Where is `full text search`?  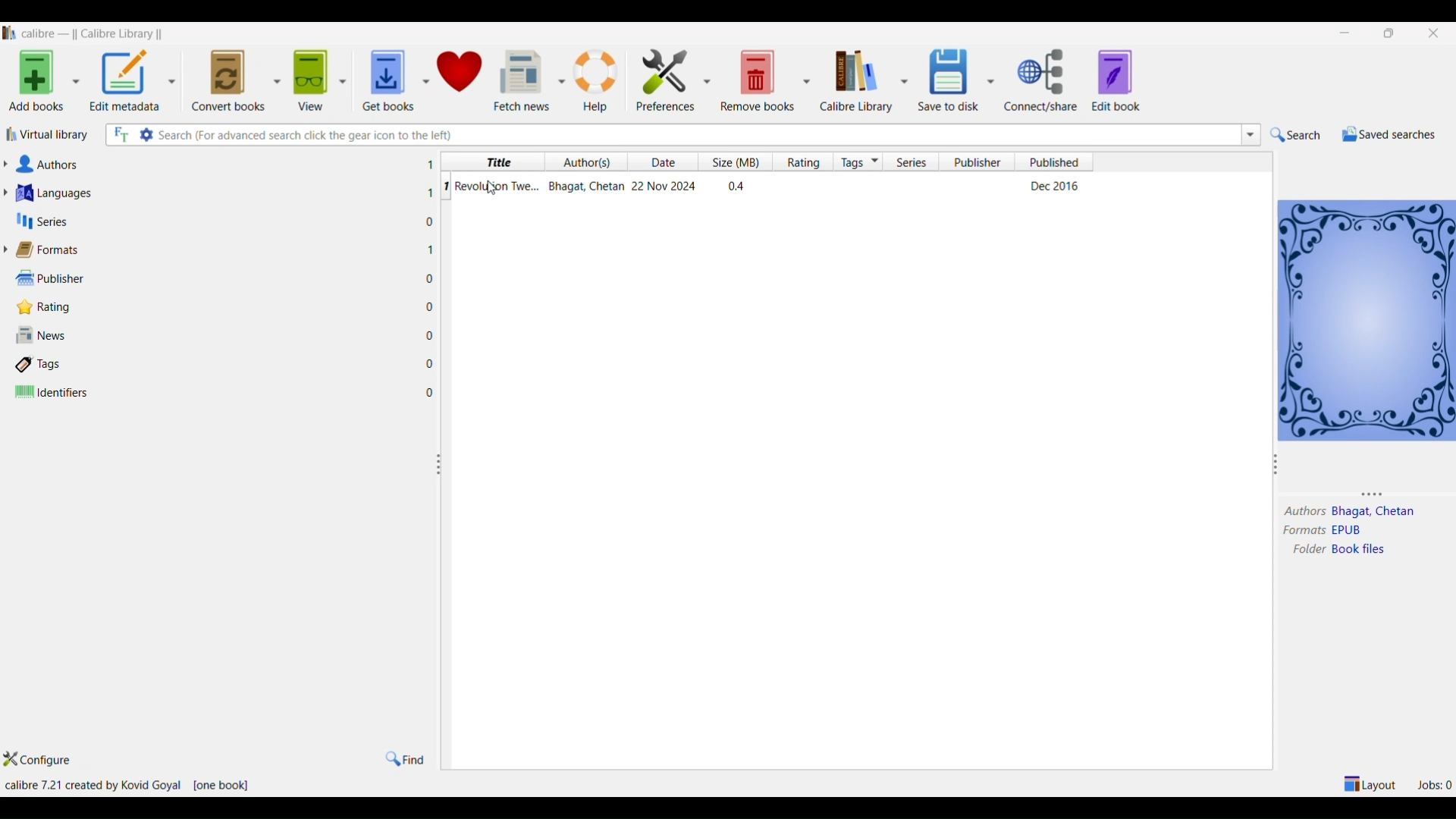
full text search is located at coordinates (119, 136).